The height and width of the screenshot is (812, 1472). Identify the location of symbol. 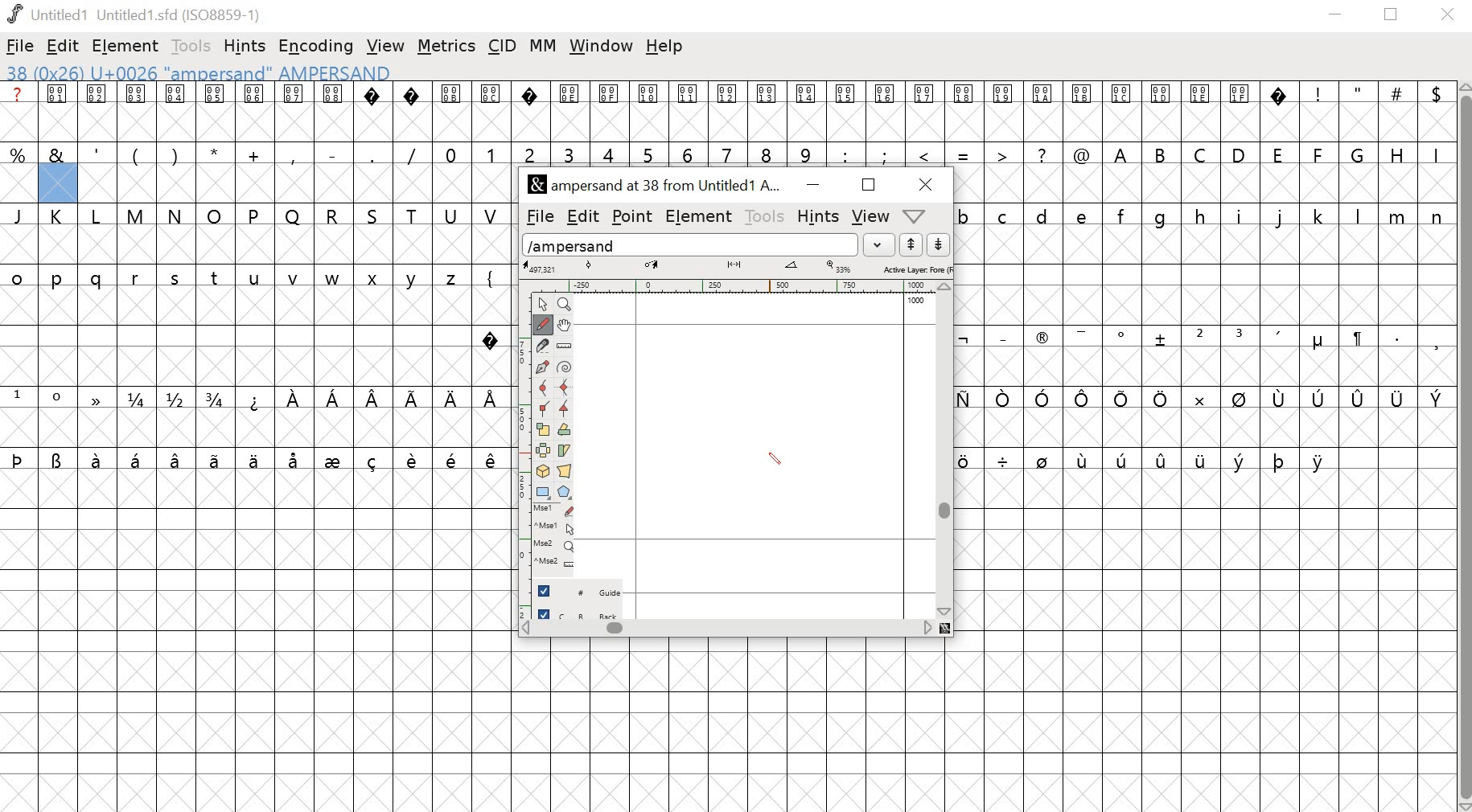
(217, 459).